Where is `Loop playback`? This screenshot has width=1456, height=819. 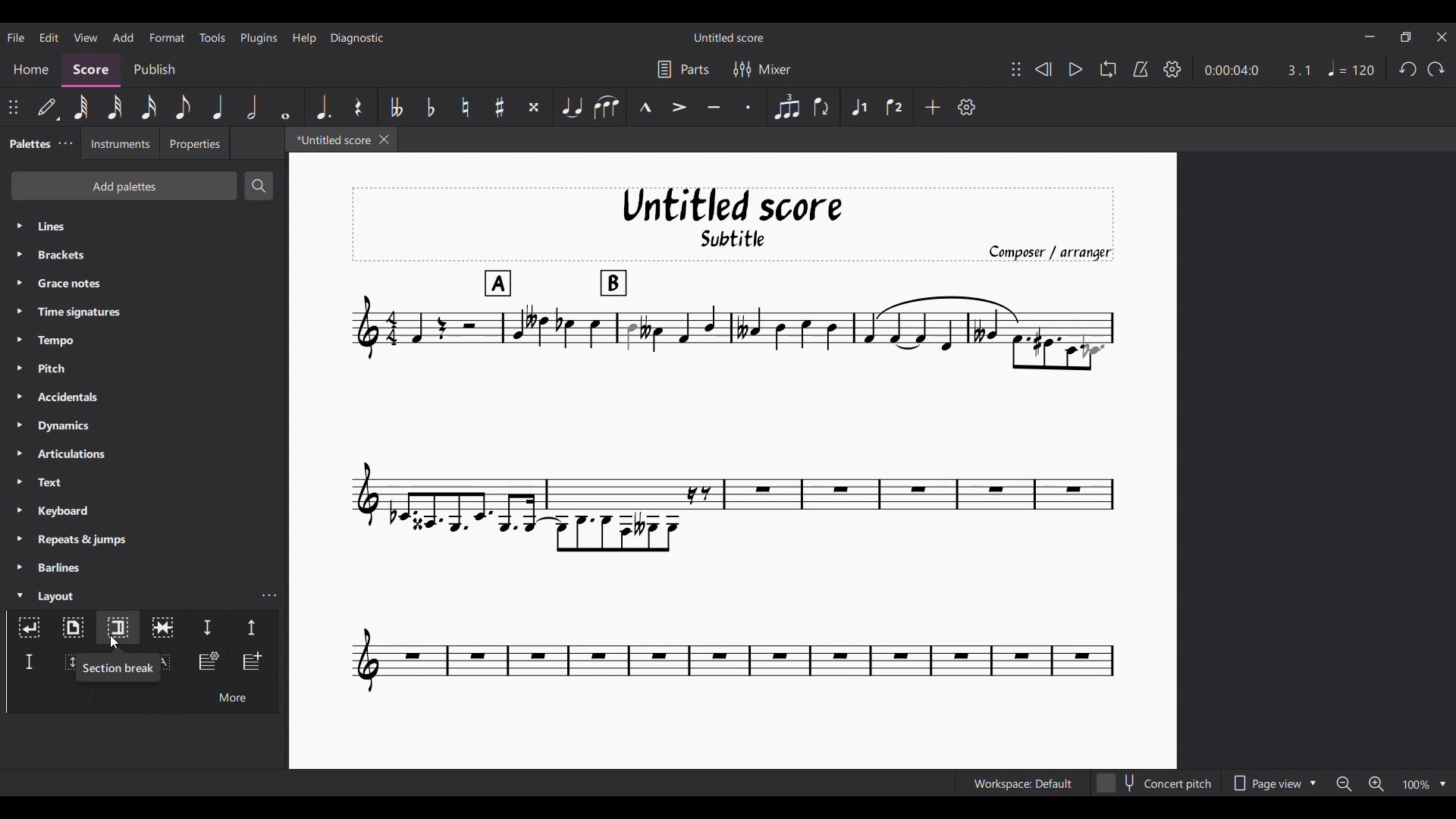
Loop playback is located at coordinates (1108, 69).